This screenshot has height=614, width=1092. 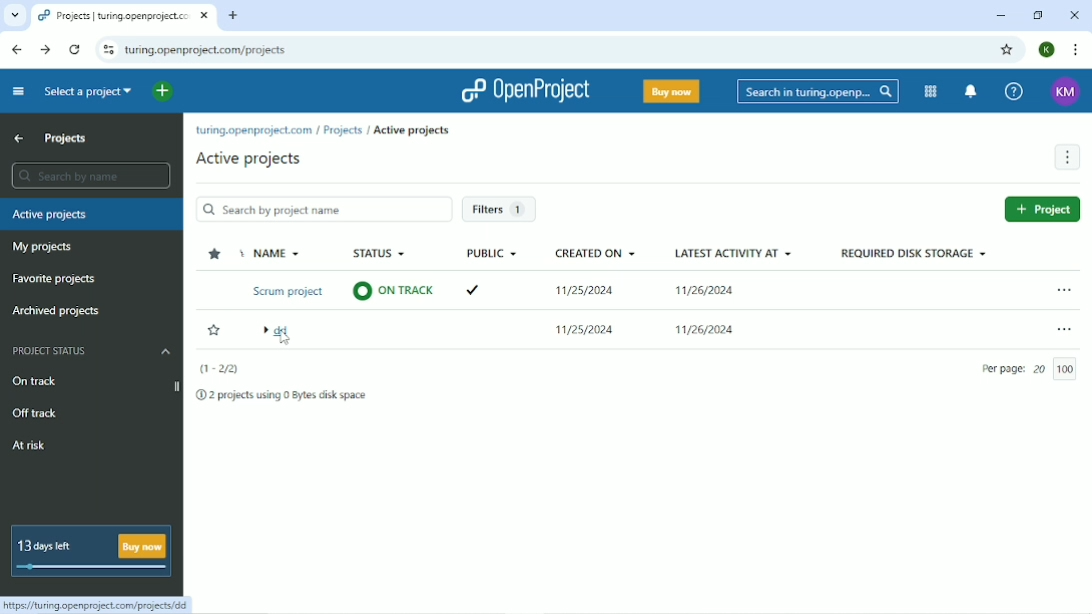 What do you see at coordinates (235, 16) in the screenshot?
I see `New tab` at bounding box center [235, 16].